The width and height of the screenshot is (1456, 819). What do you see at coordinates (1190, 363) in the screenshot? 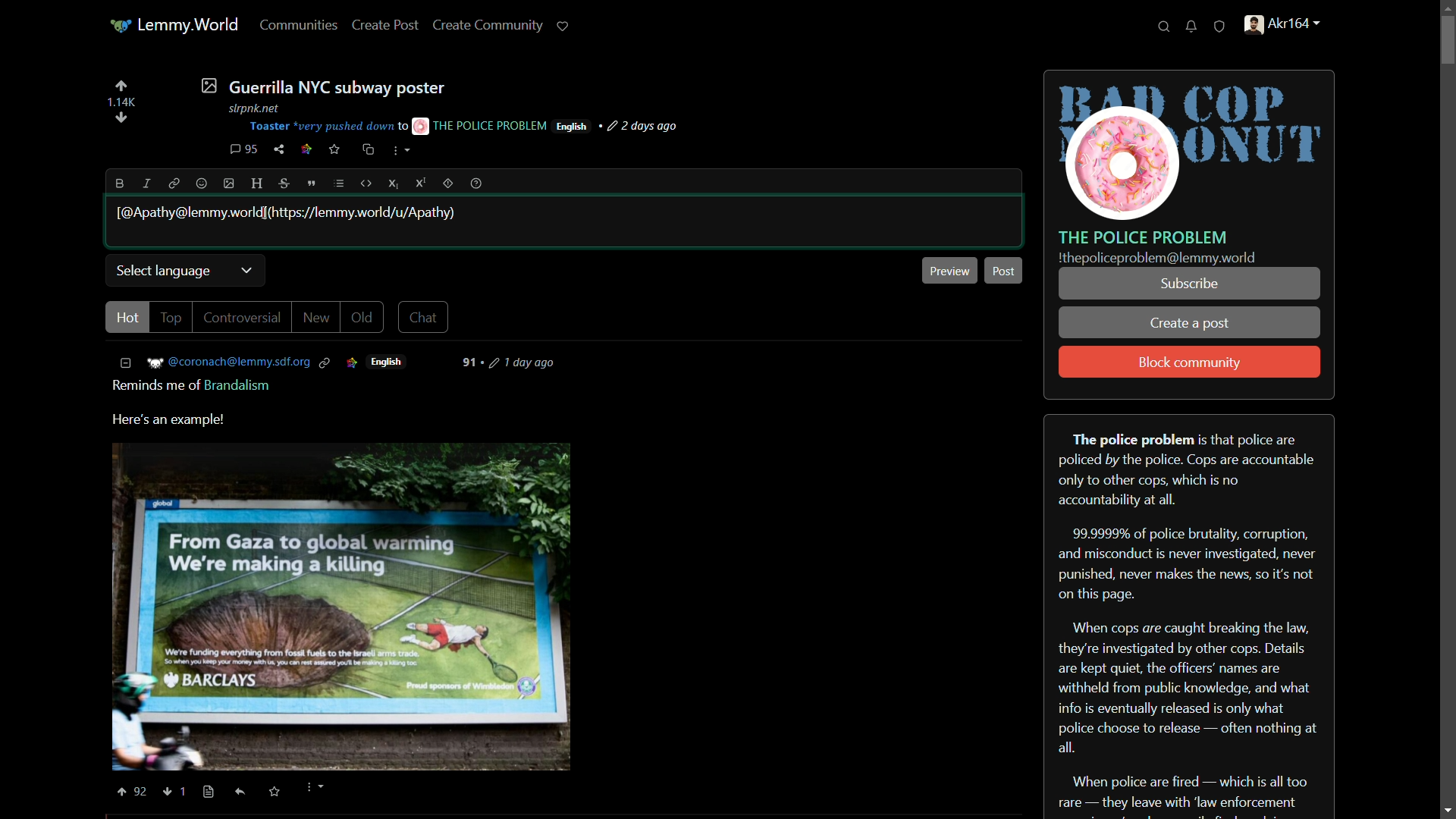
I see `block community` at bounding box center [1190, 363].